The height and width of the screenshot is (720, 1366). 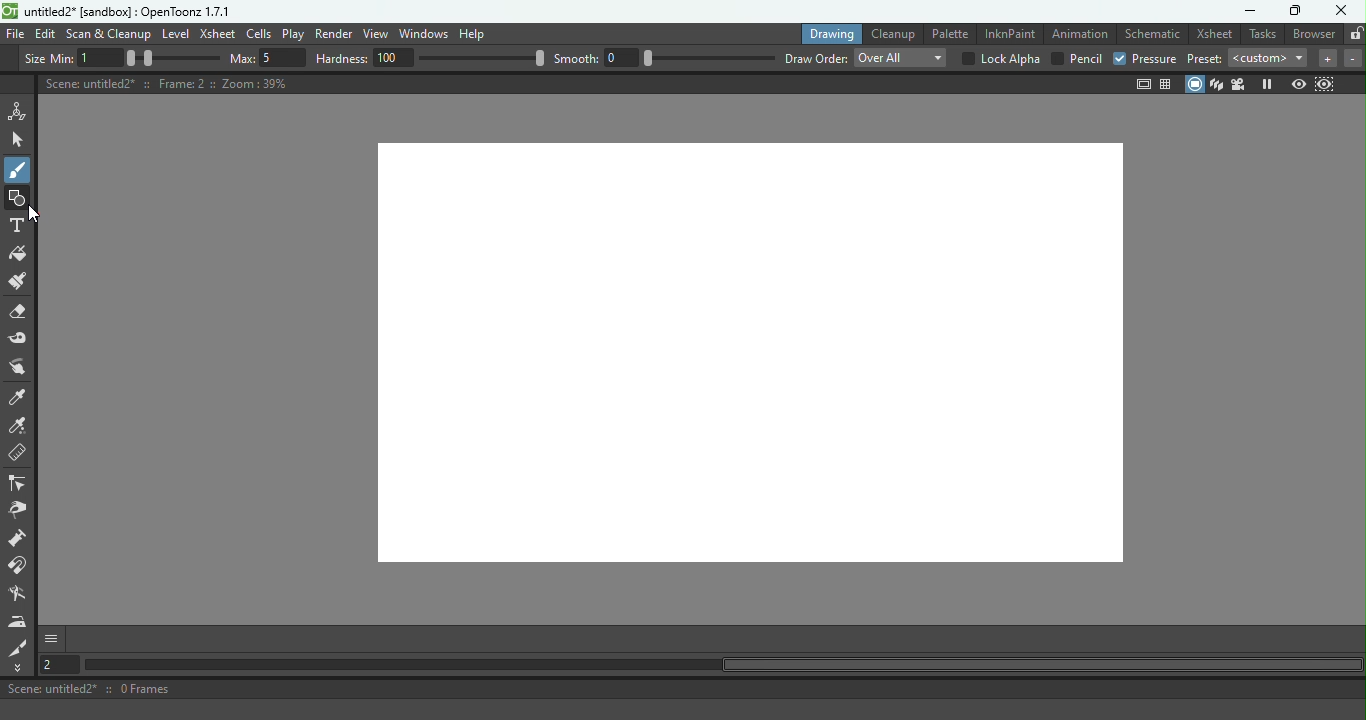 What do you see at coordinates (1267, 83) in the screenshot?
I see `Freeze` at bounding box center [1267, 83].